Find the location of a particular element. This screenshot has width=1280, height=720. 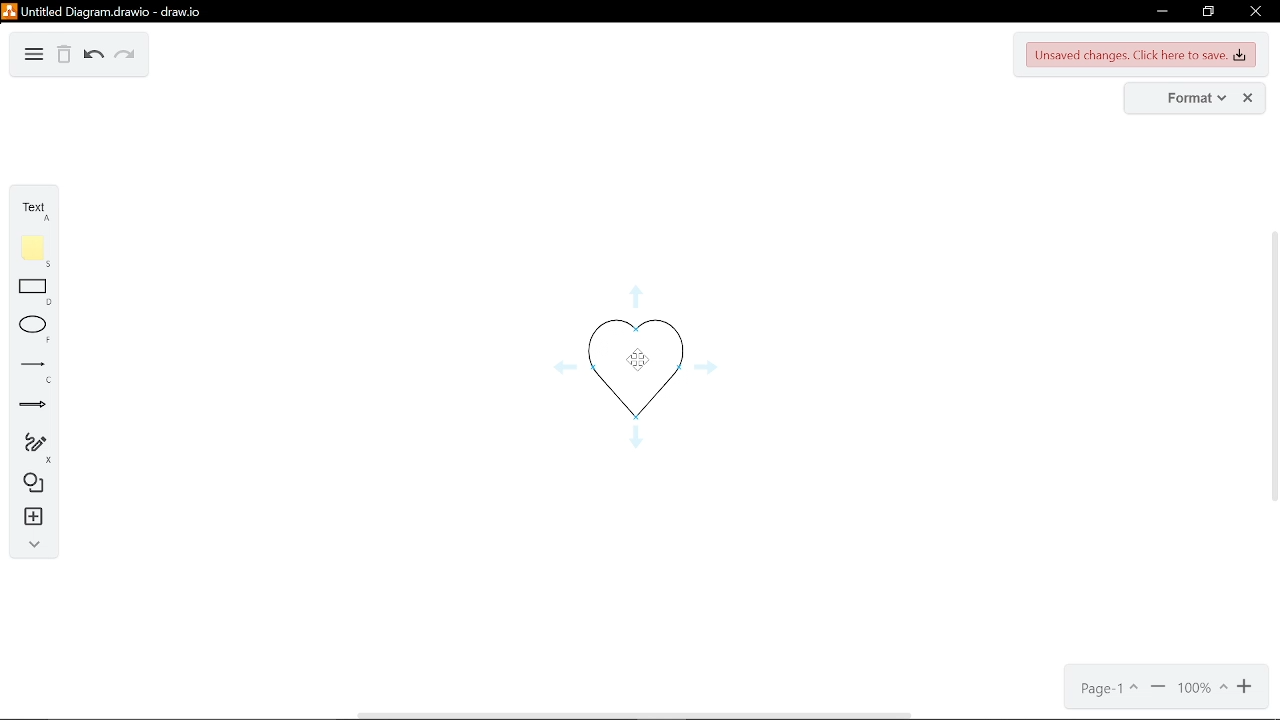

lines is located at coordinates (32, 370).